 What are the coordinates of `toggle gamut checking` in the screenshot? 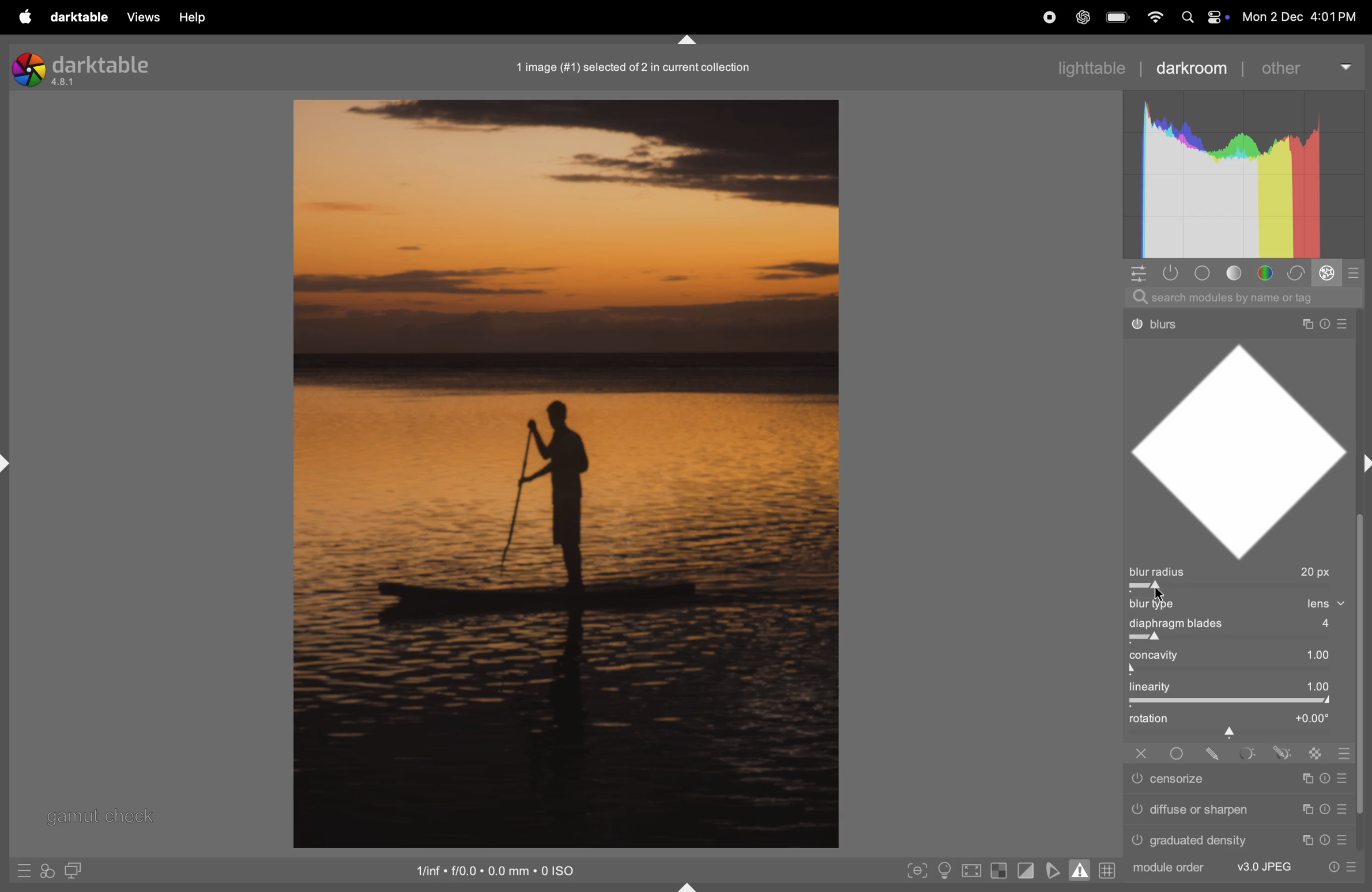 It's located at (1081, 869).